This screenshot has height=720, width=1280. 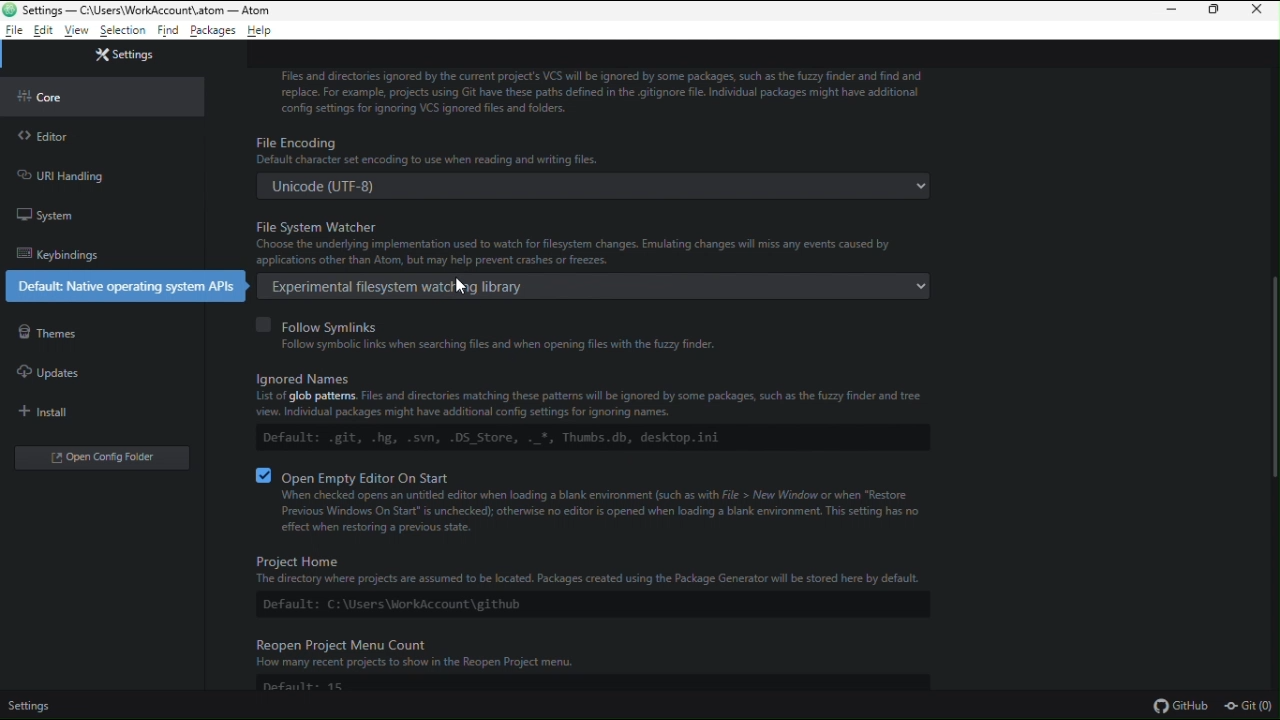 What do you see at coordinates (44, 31) in the screenshot?
I see `Edit` at bounding box center [44, 31].